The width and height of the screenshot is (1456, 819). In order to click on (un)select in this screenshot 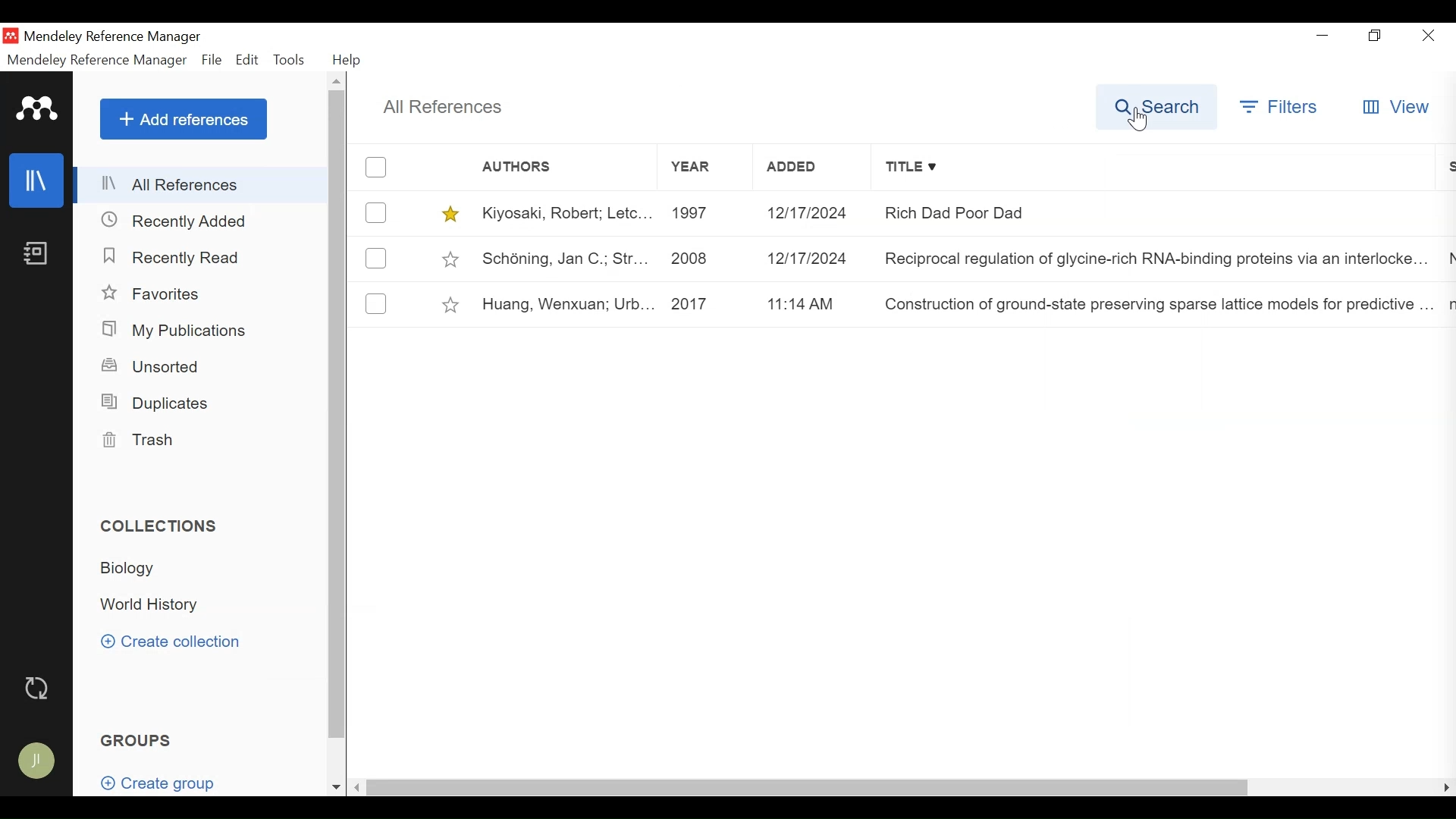, I will do `click(375, 168)`.